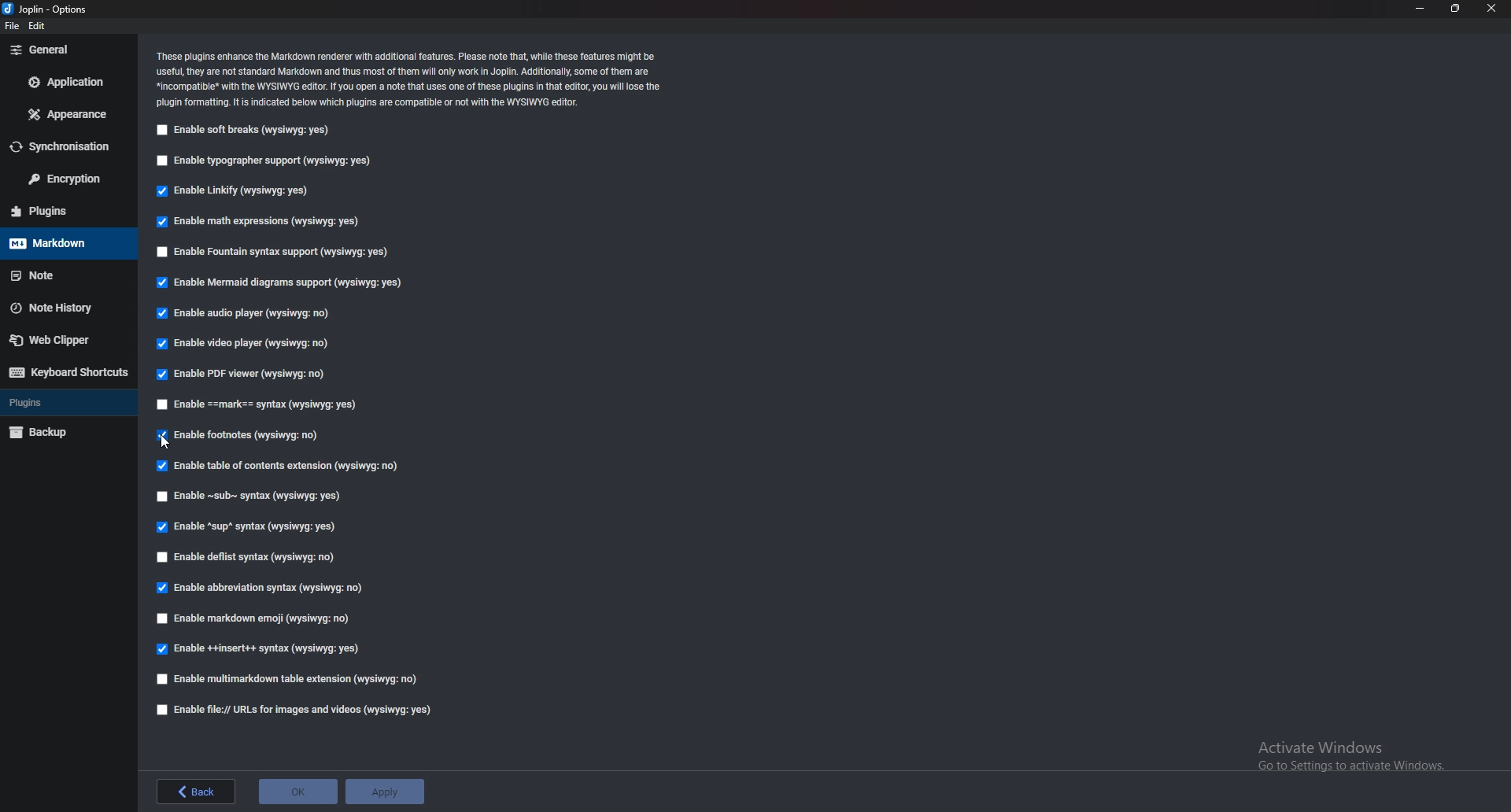  What do you see at coordinates (68, 401) in the screenshot?
I see `plugins` at bounding box center [68, 401].